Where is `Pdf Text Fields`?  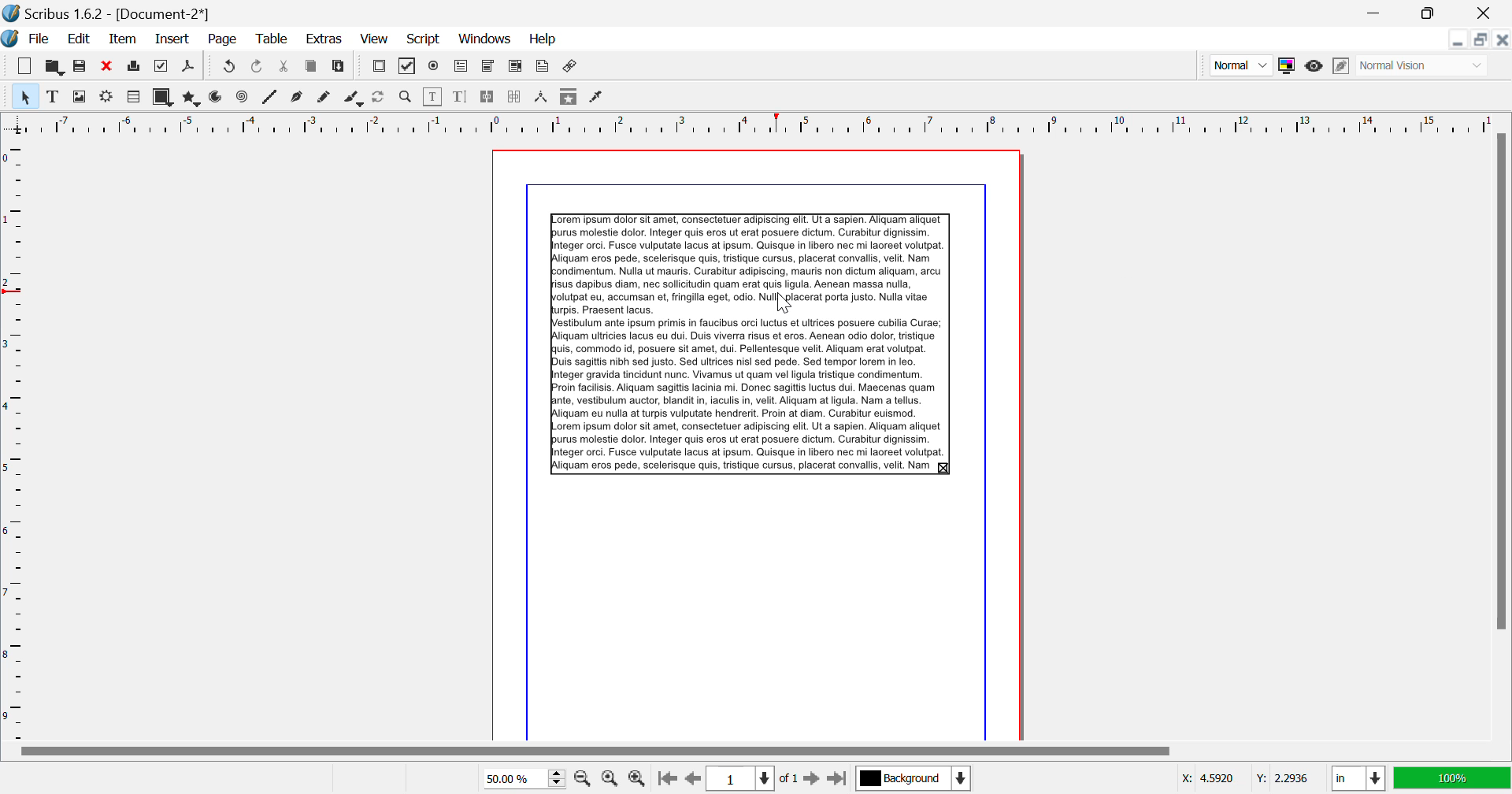 Pdf Text Fields is located at coordinates (461, 67).